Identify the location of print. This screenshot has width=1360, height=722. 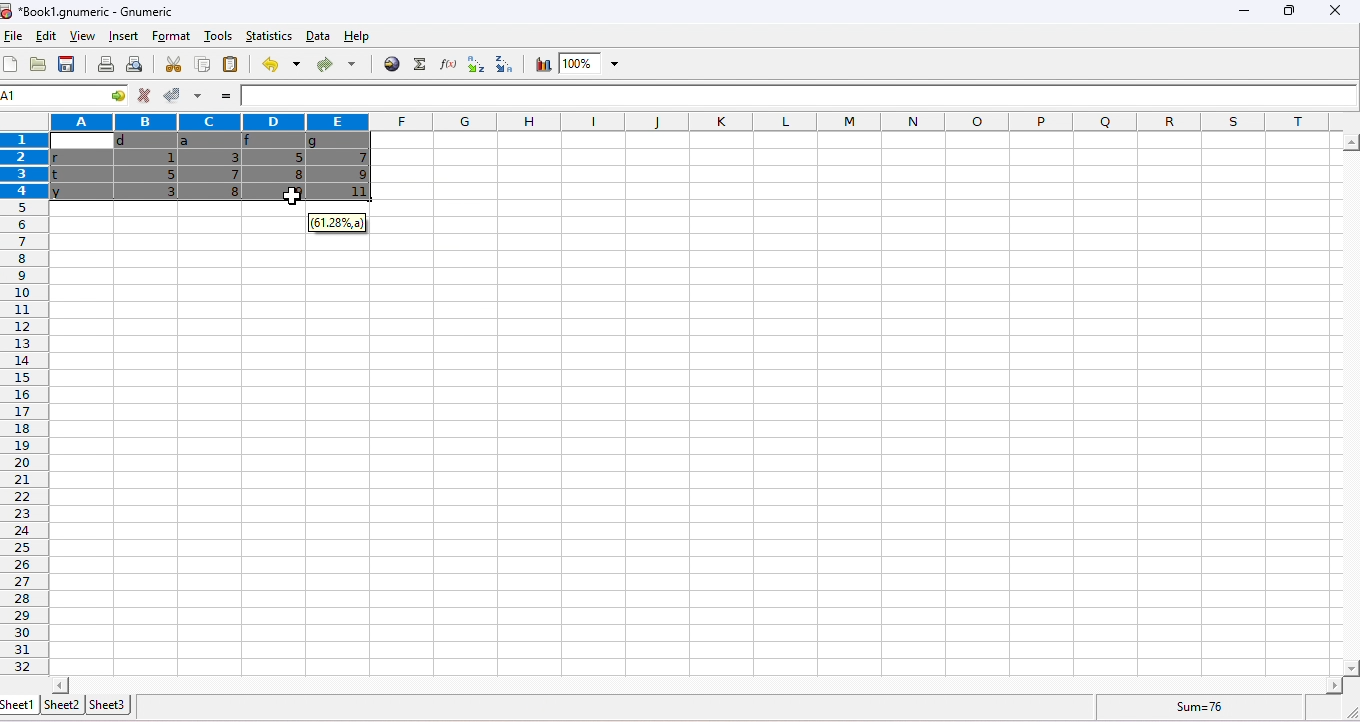
(106, 64).